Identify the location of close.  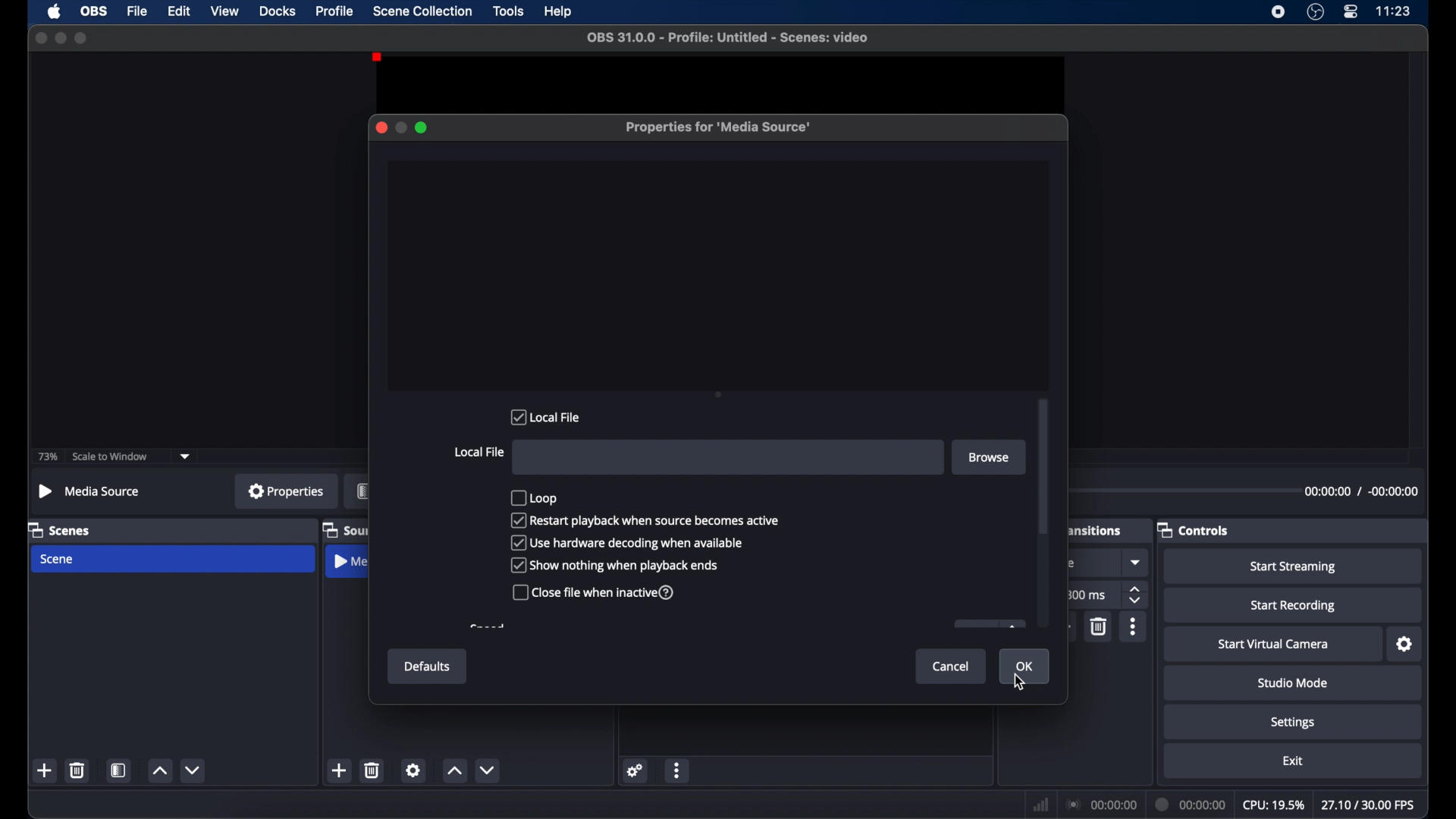
(381, 127).